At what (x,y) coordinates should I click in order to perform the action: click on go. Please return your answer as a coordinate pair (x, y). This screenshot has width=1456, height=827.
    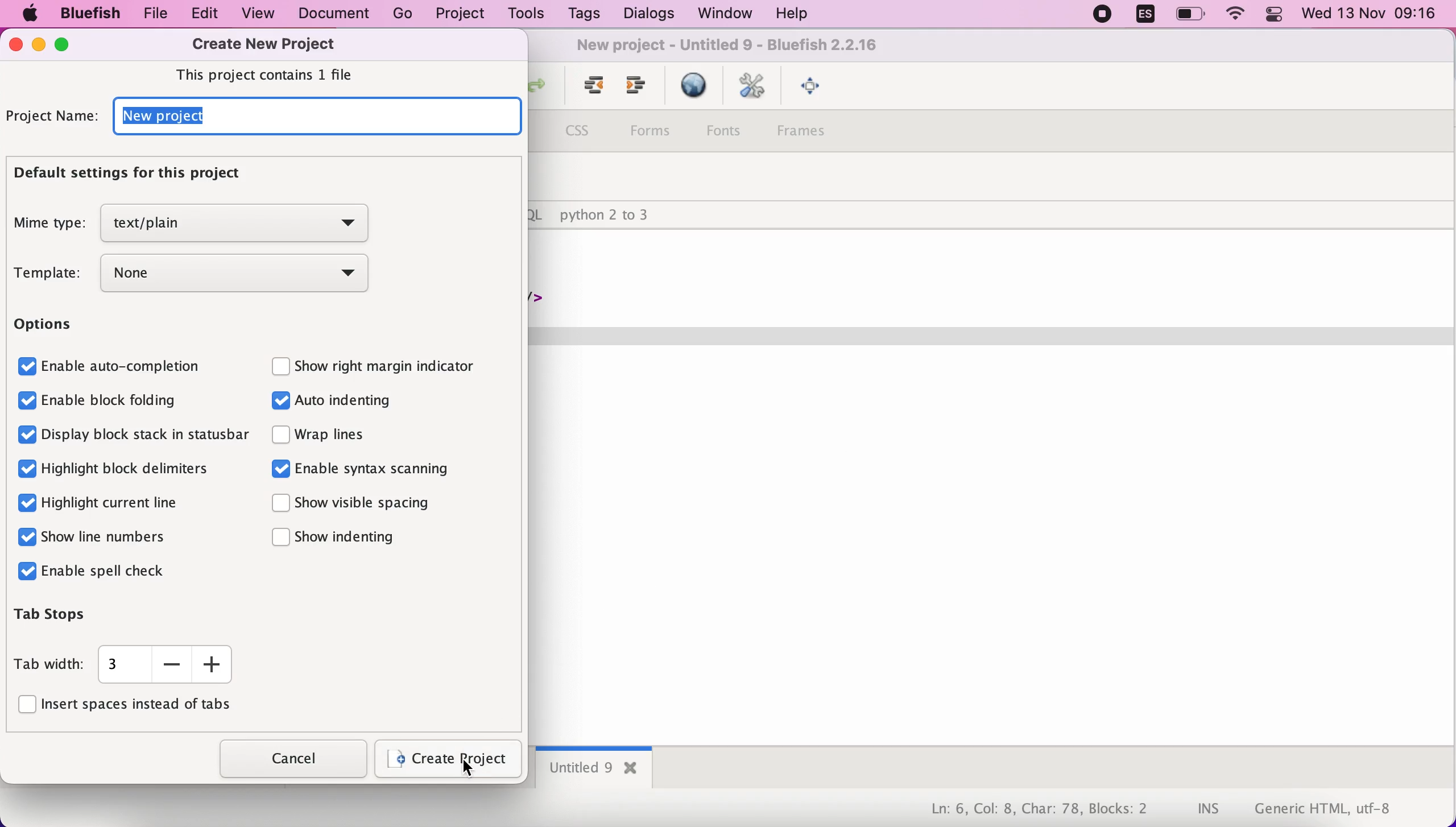
    Looking at the image, I should click on (403, 14).